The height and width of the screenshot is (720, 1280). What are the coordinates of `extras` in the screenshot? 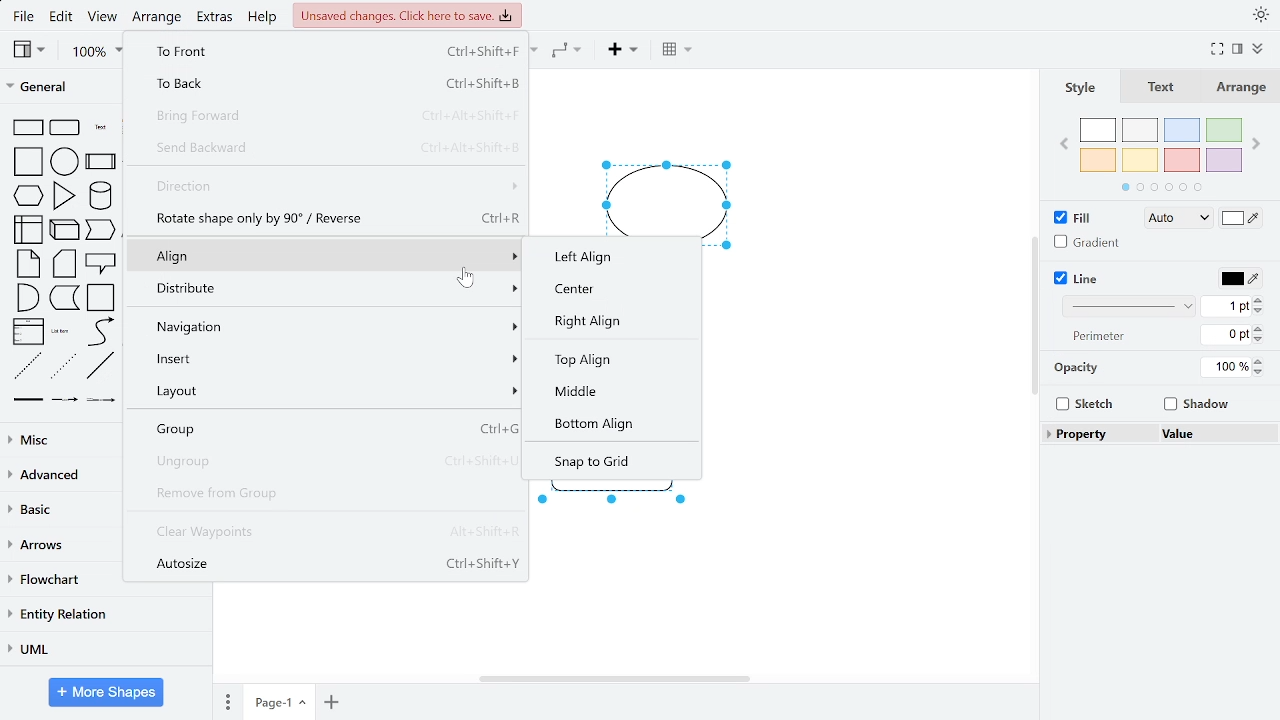 It's located at (216, 19).